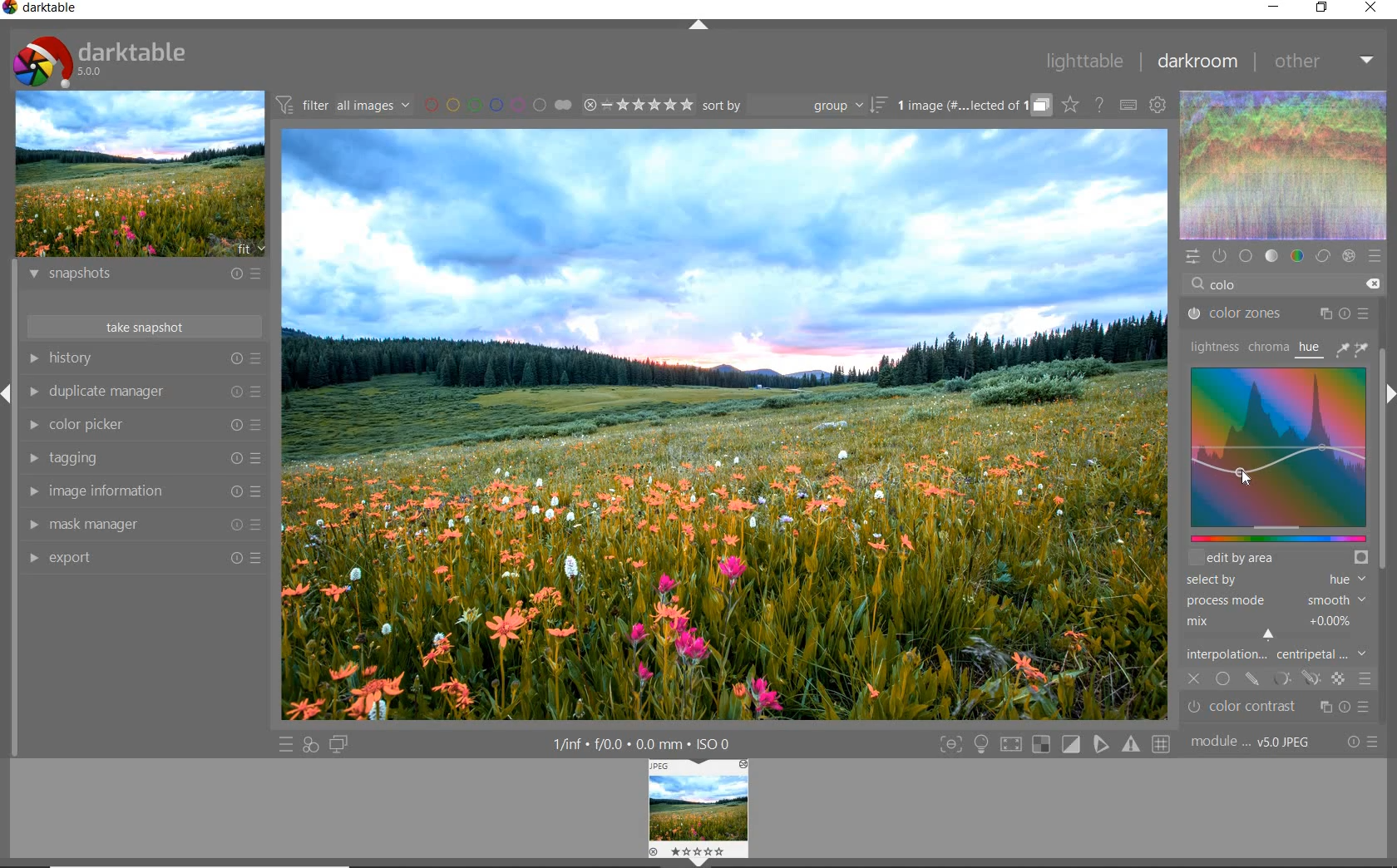 This screenshot has height=868, width=1397. I want to click on tagging, so click(142, 459).